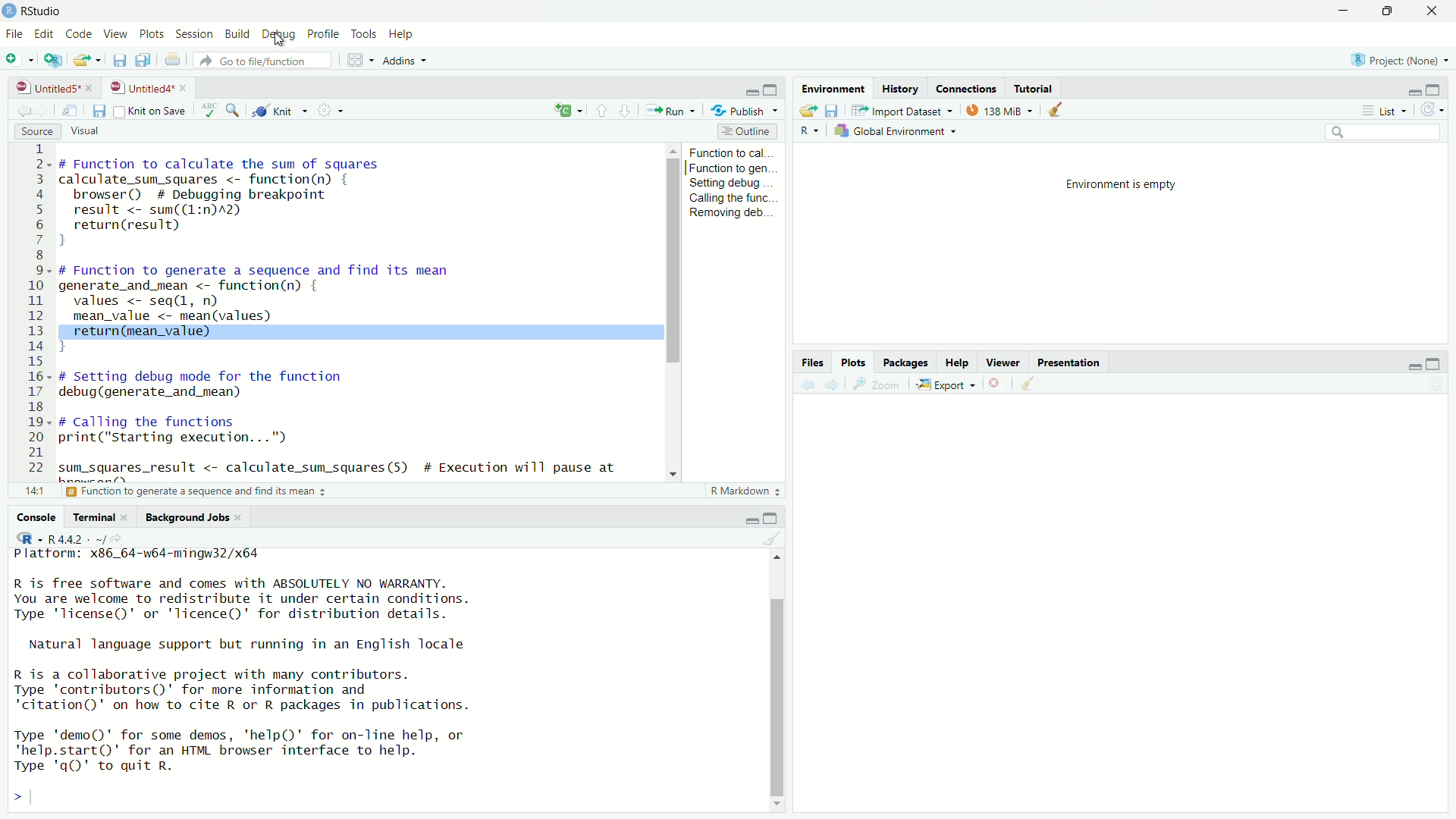  Describe the element at coordinates (243, 518) in the screenshot. I see `close` at that location.